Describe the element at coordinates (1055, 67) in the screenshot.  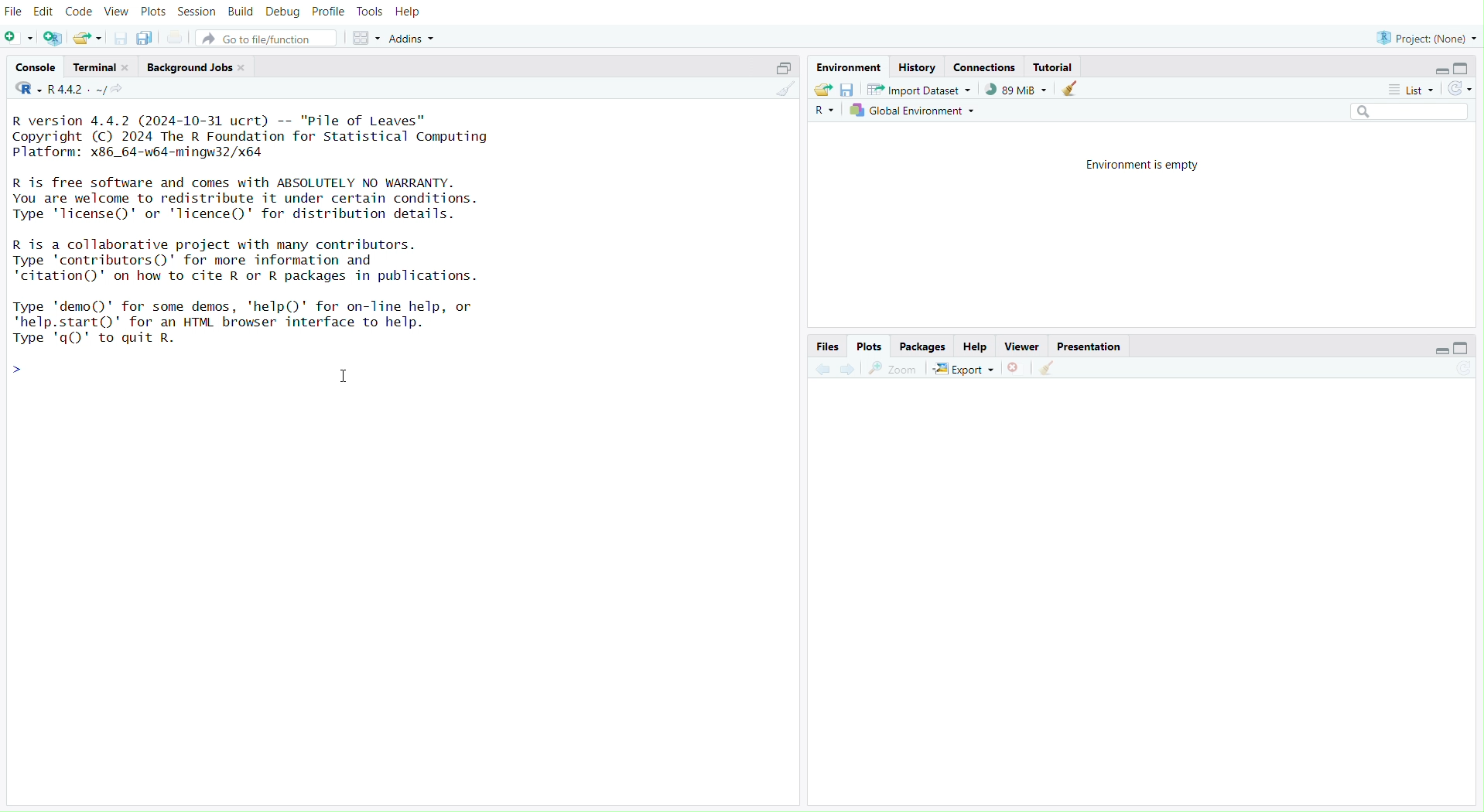
I see `Tutorial` at that location.